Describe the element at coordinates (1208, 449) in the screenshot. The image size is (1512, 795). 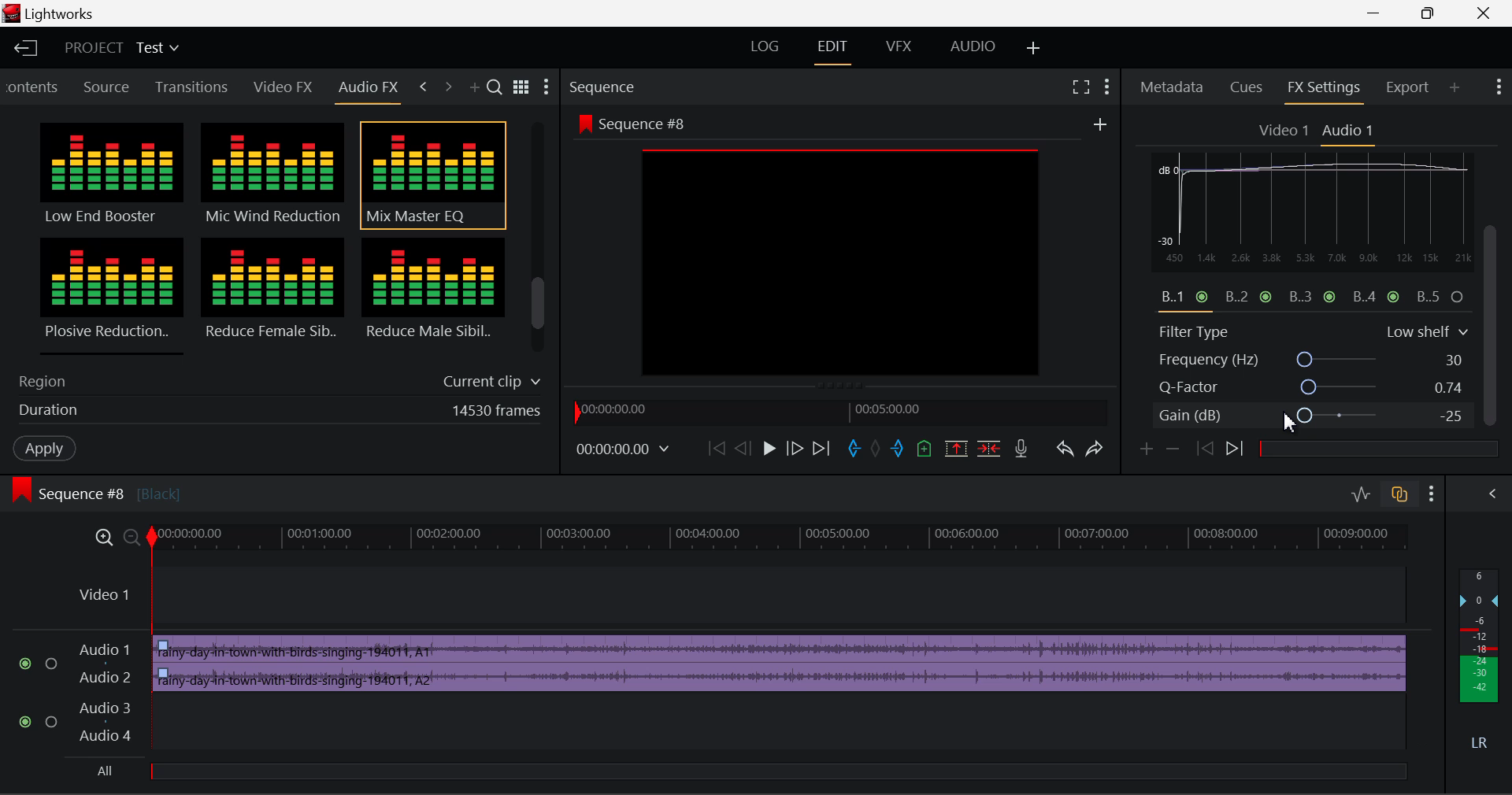
I see `Previous keyframe` at that location.